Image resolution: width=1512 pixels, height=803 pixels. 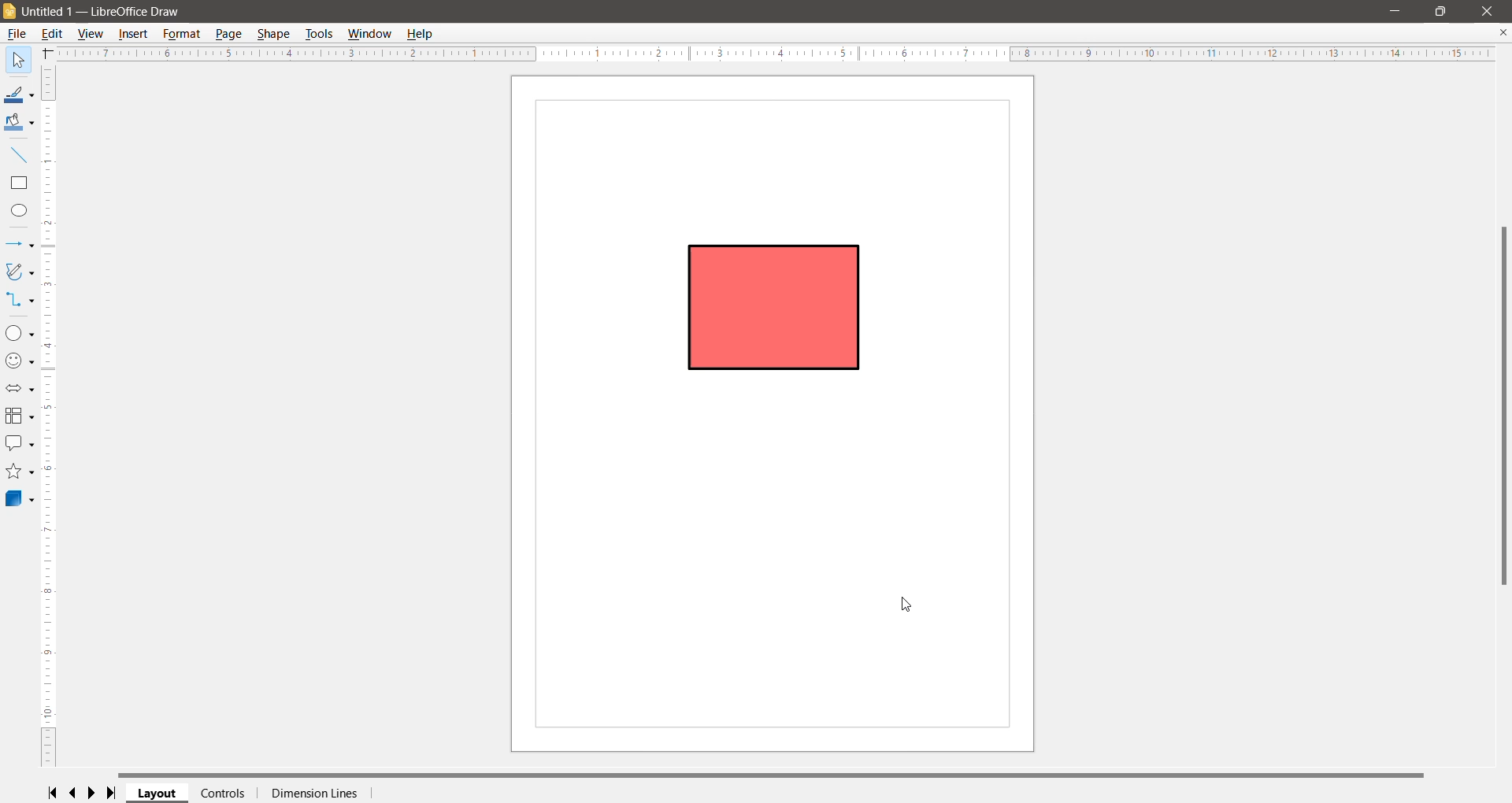 What do you see at coordinates (20, 124) in the screenshot?
I see `Fill Color` at bounding box center [20, 124].